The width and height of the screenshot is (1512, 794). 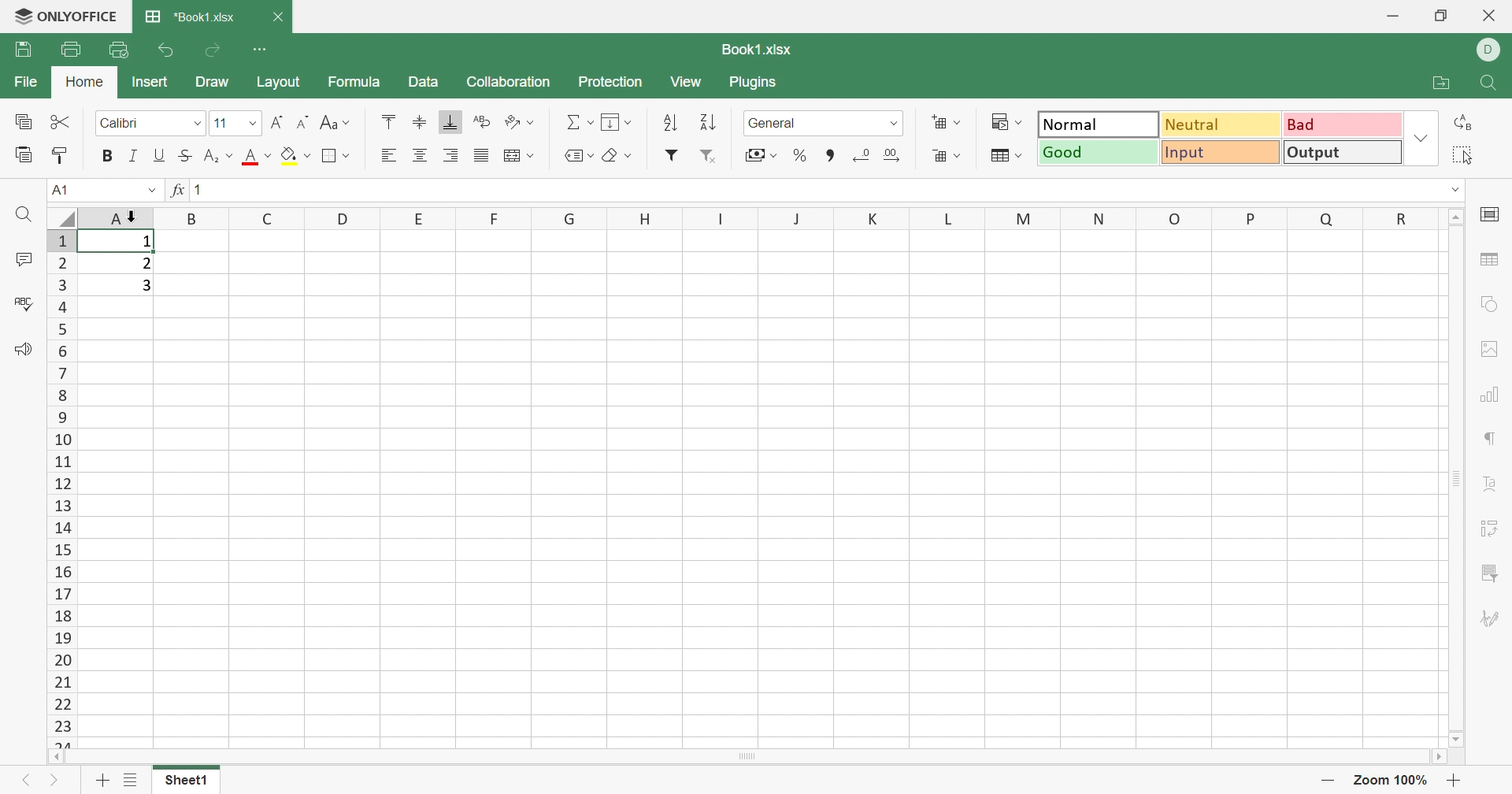 What do you see at coordinates (277, 123) in the screenshot?
I see `Increment size` at bounding box center [277, 123].